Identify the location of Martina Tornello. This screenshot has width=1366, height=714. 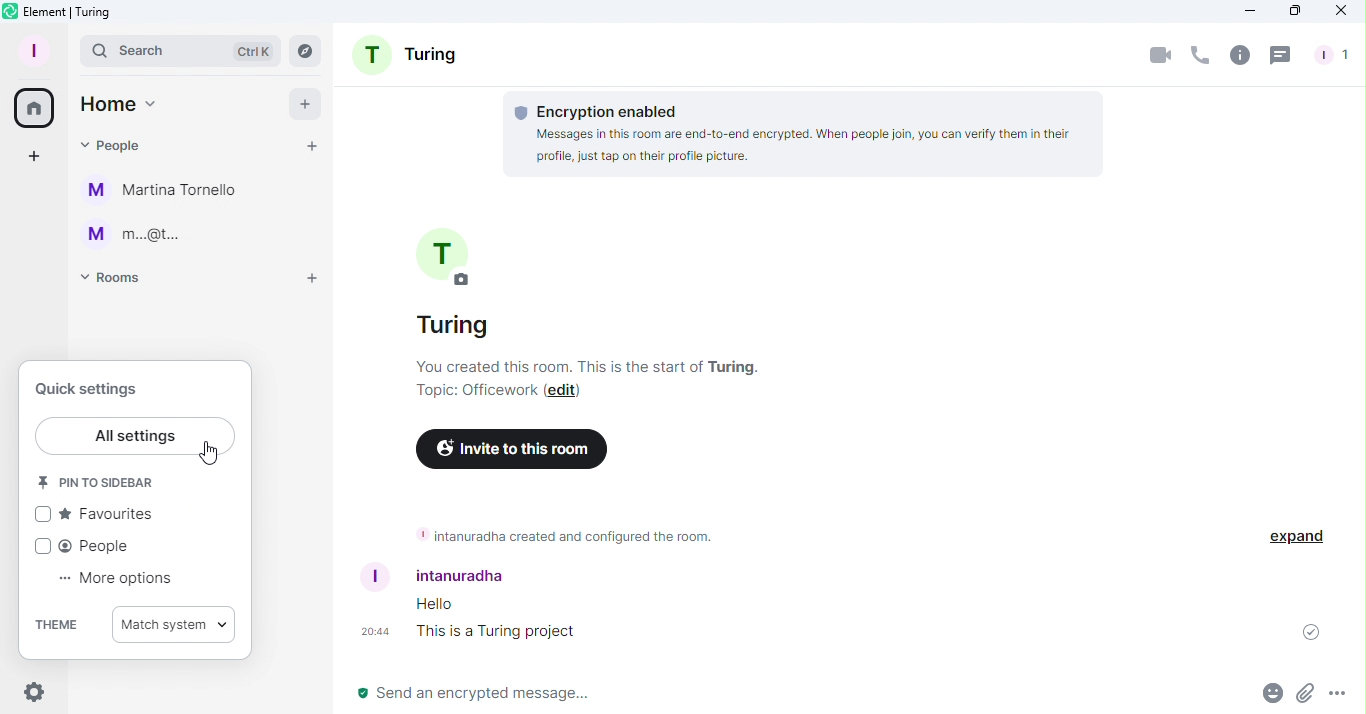
(169, 194).